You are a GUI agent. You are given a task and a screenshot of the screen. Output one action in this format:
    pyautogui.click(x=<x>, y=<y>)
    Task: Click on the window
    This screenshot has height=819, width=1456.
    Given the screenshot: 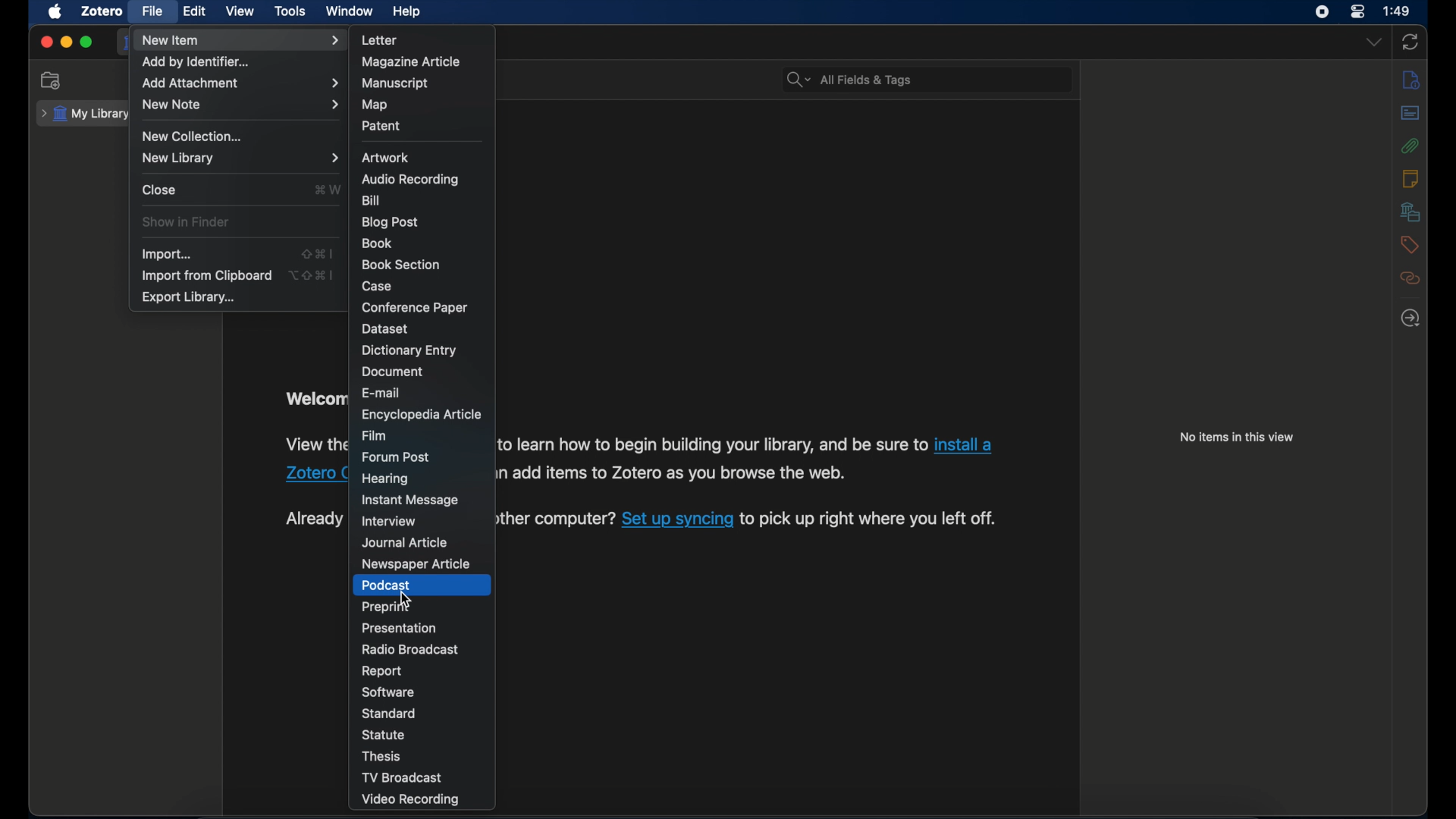 What is the action you would take?
    pyautogui.click(x=350, y=11)
    